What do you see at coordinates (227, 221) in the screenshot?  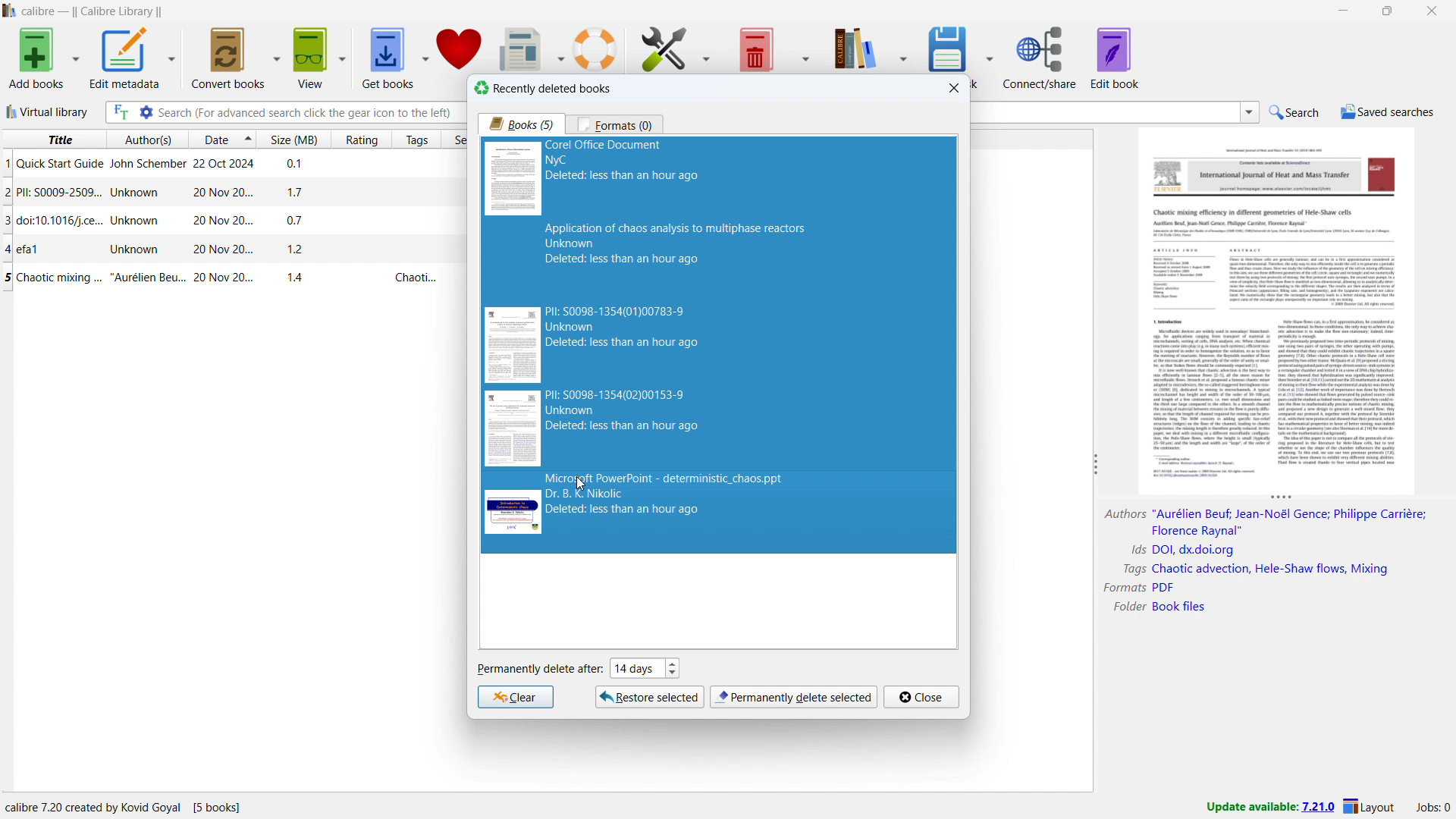 I see `single book entry` at bounding box center [227, 221].